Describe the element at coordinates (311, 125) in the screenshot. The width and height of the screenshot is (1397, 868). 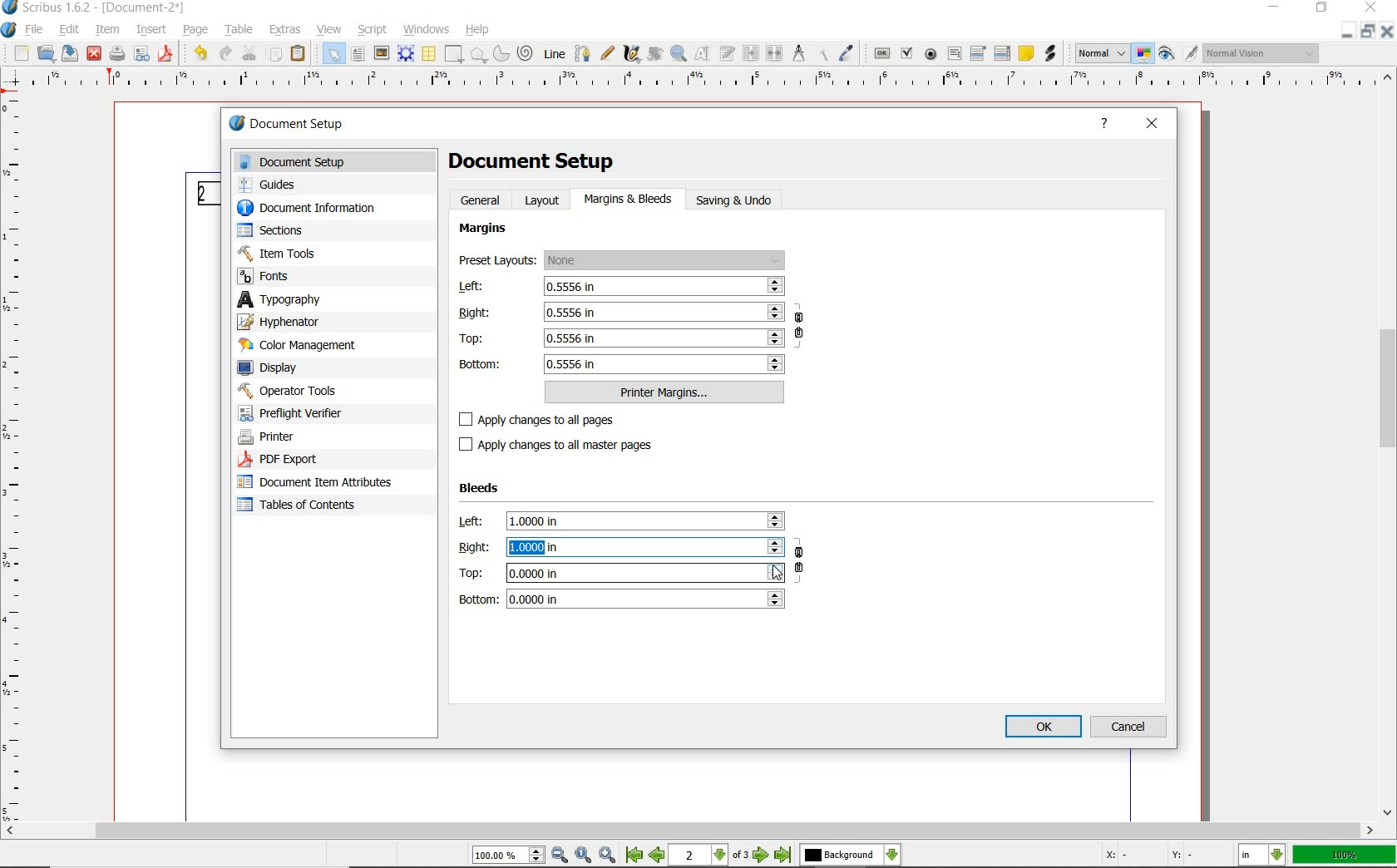
I see `document setup` at that location.